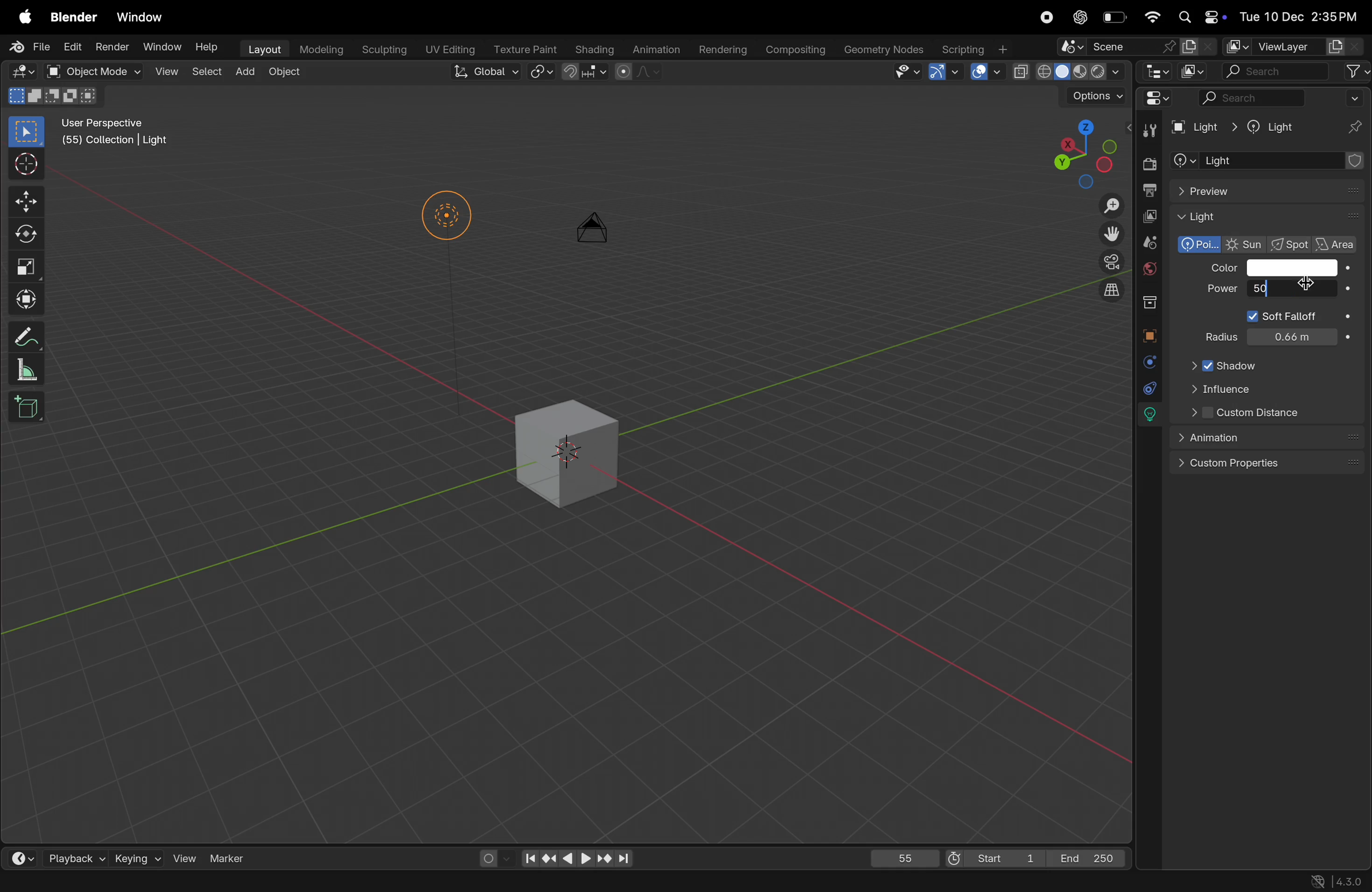 This screenshot has height=892, width=1372. What do you see at coordinates (1146, 362) in the screenshot?
I see `physics` at bounding box center [1146, 362].